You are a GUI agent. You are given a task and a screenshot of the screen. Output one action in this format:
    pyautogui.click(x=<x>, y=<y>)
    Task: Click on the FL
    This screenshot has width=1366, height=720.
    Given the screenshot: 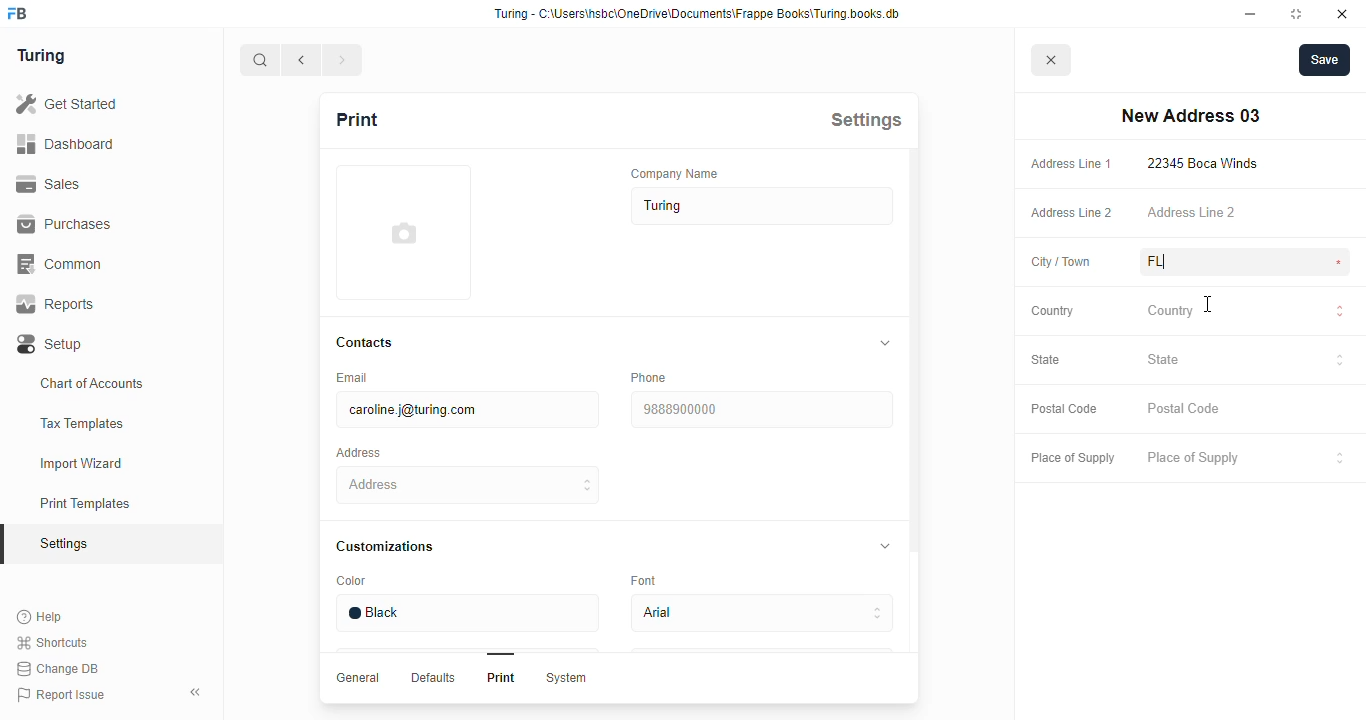 What is the action you would take?
    pyautogui.click(x=1180, y=262)
    